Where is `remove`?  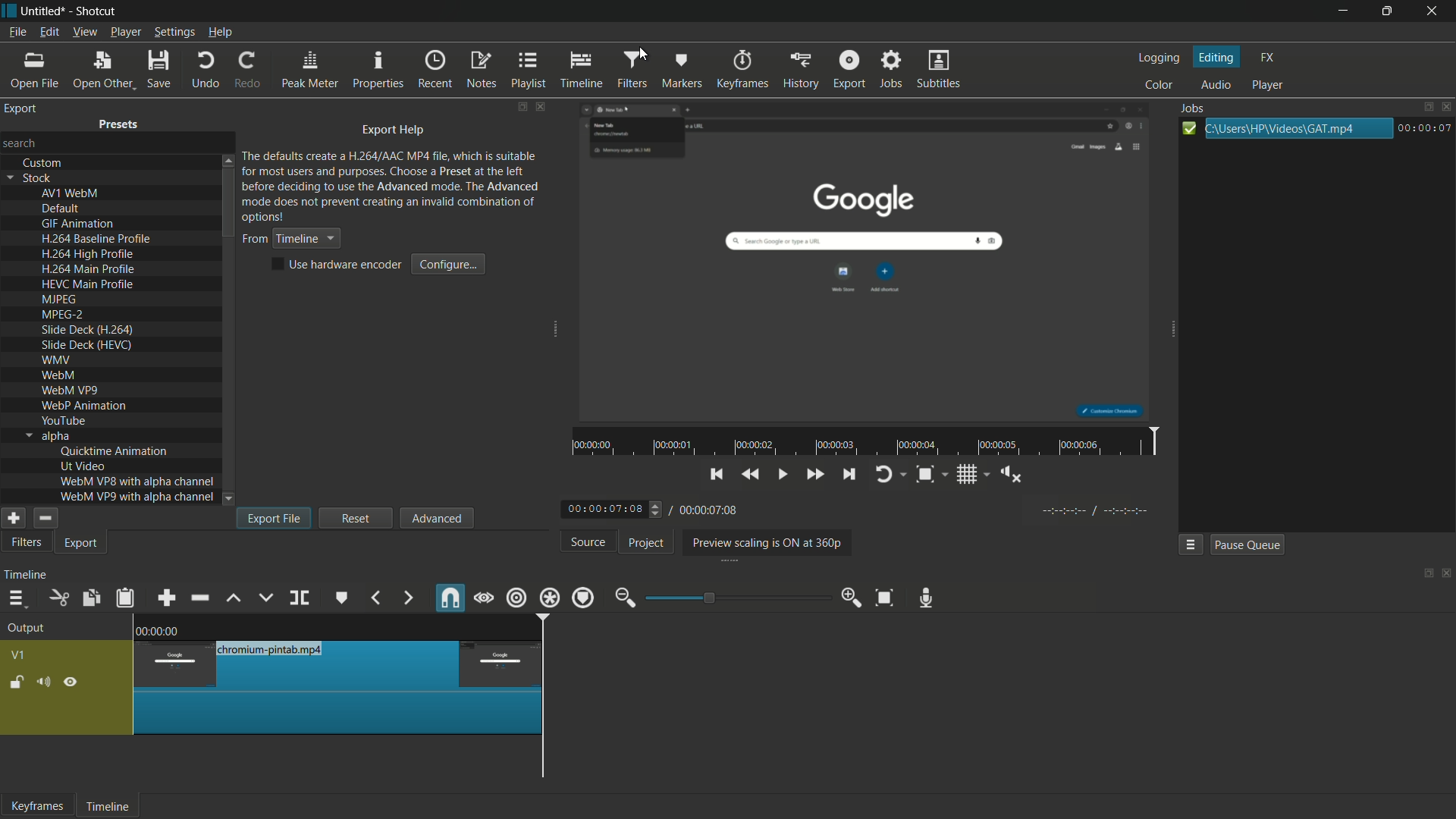
remove is located at coordinates (44, 518).